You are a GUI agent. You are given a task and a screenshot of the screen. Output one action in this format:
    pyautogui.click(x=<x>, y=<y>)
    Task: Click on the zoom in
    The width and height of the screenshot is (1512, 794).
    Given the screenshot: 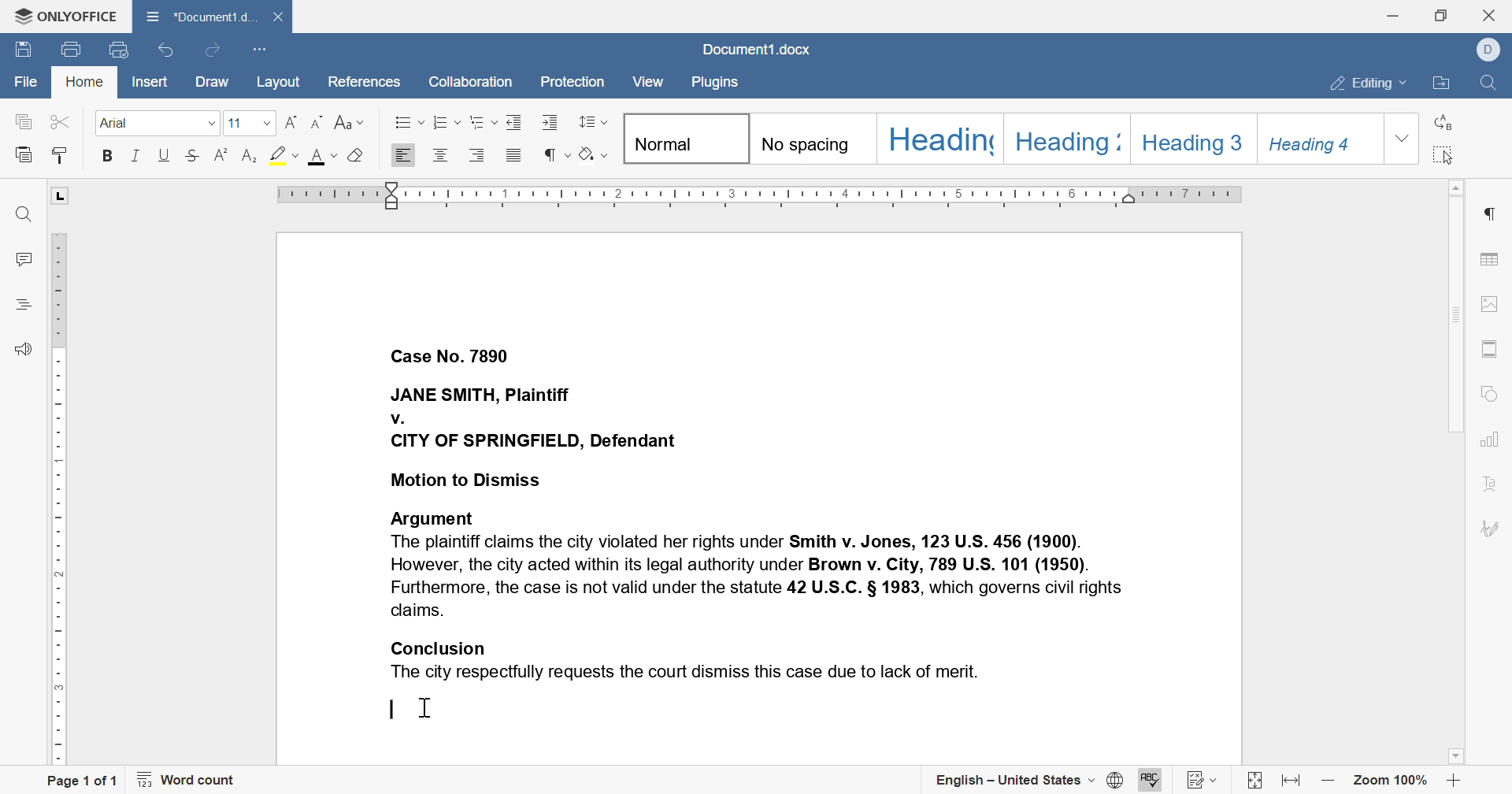 What is the action you would take?
    pyautogui.click(x=1455, y=780)
    